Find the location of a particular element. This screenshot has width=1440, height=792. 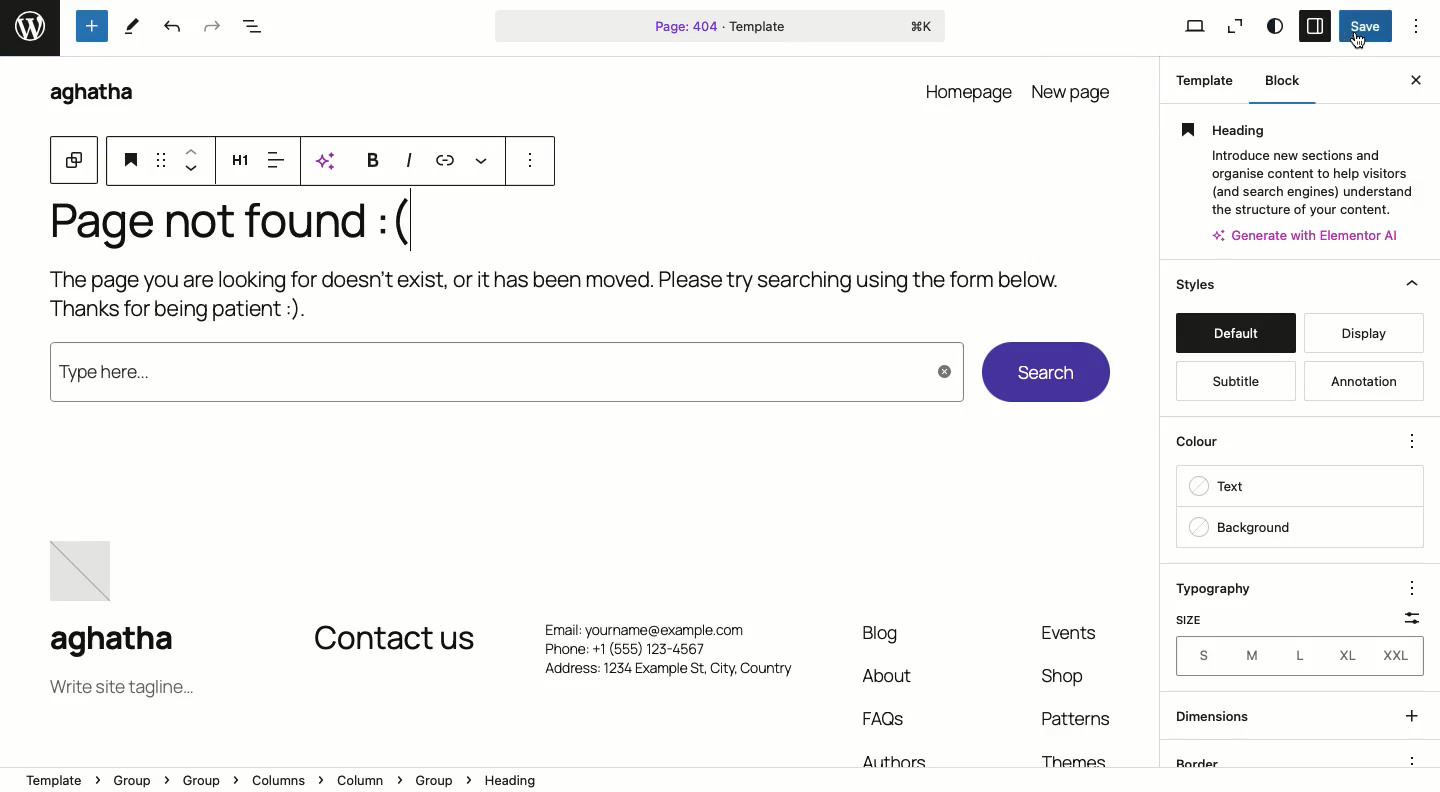

XXL is located at coordinates (1400, 658).